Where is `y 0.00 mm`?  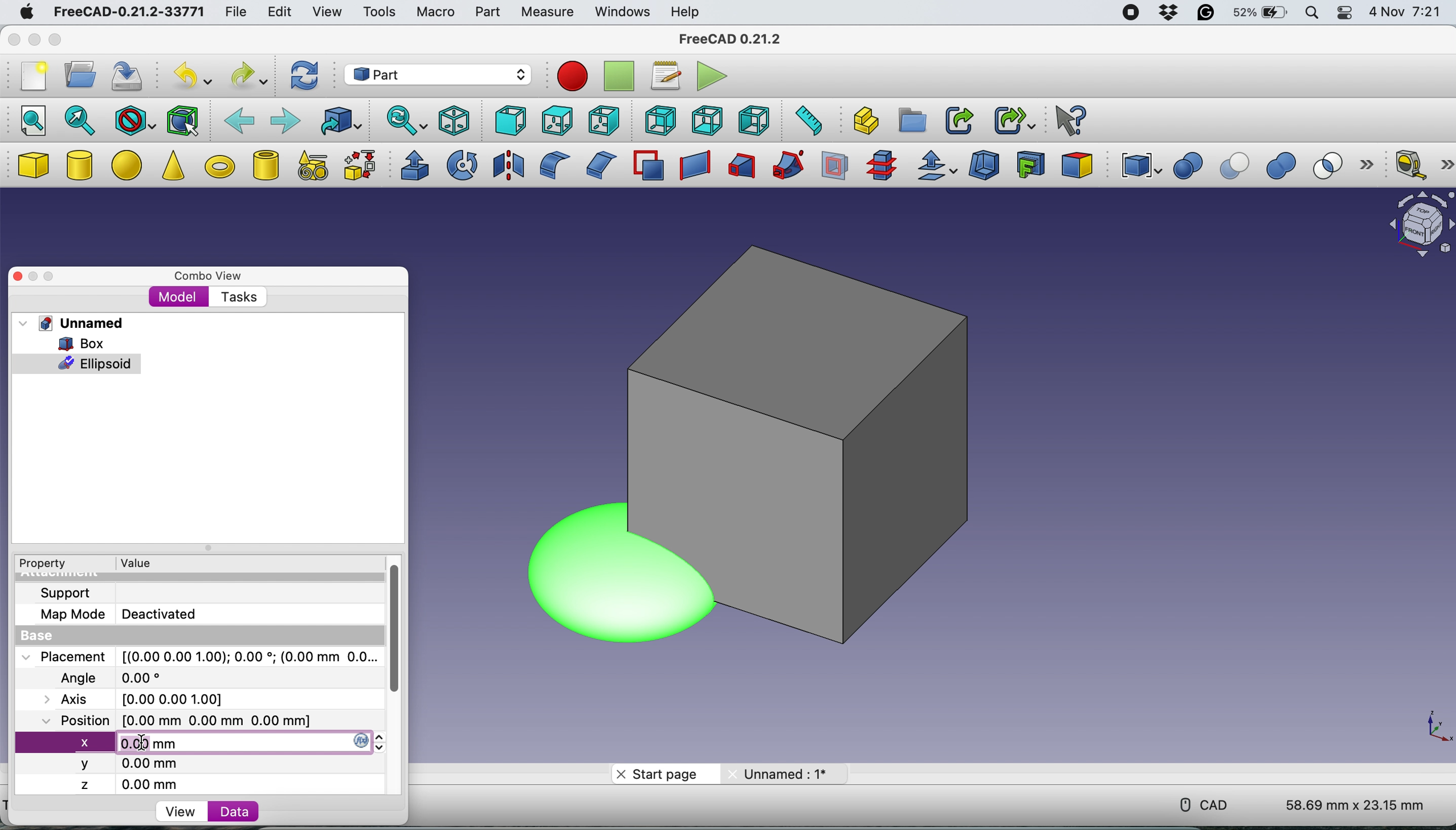 y 0.00 mm is located at coordinates (130, 766).